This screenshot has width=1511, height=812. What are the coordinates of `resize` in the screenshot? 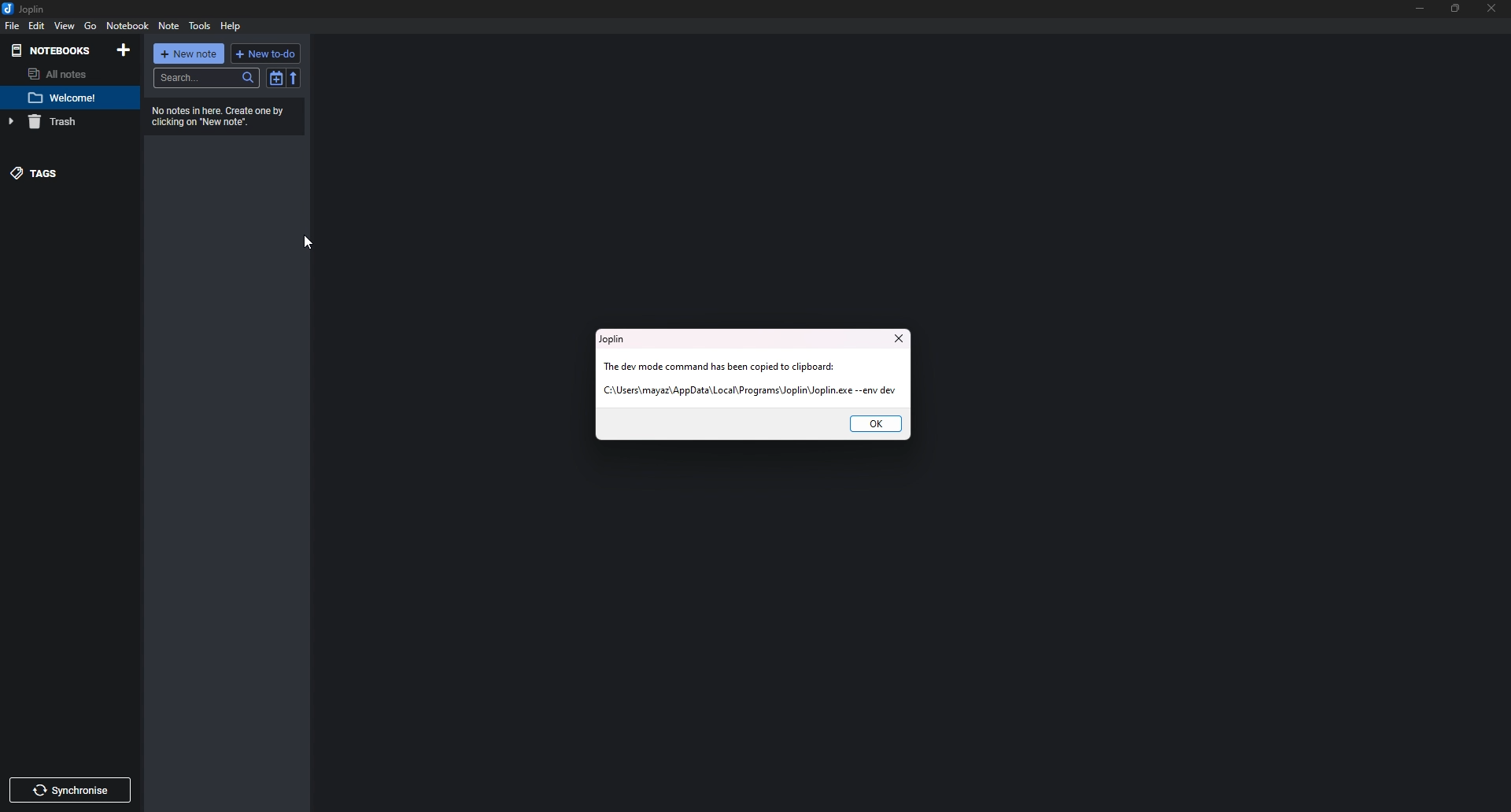 It's located at (1457, 8).